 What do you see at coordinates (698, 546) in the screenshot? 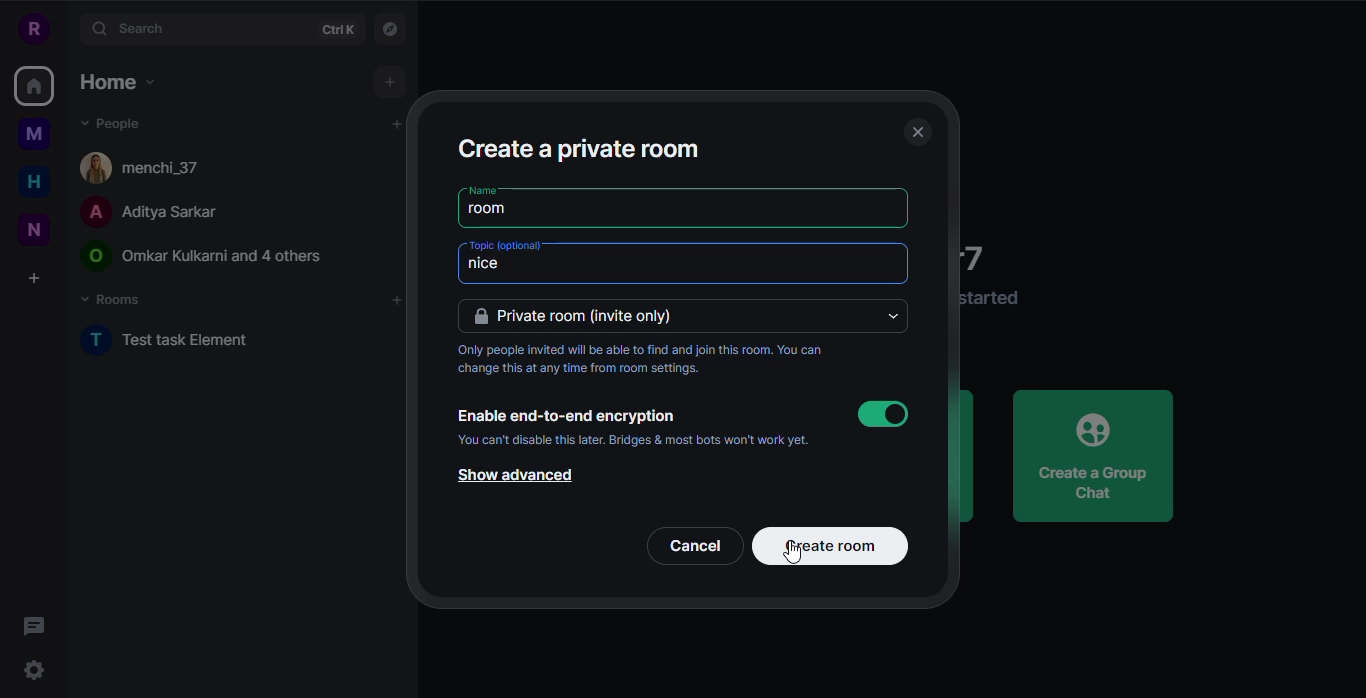
I see `cancel` at bounding box center [698, 546].